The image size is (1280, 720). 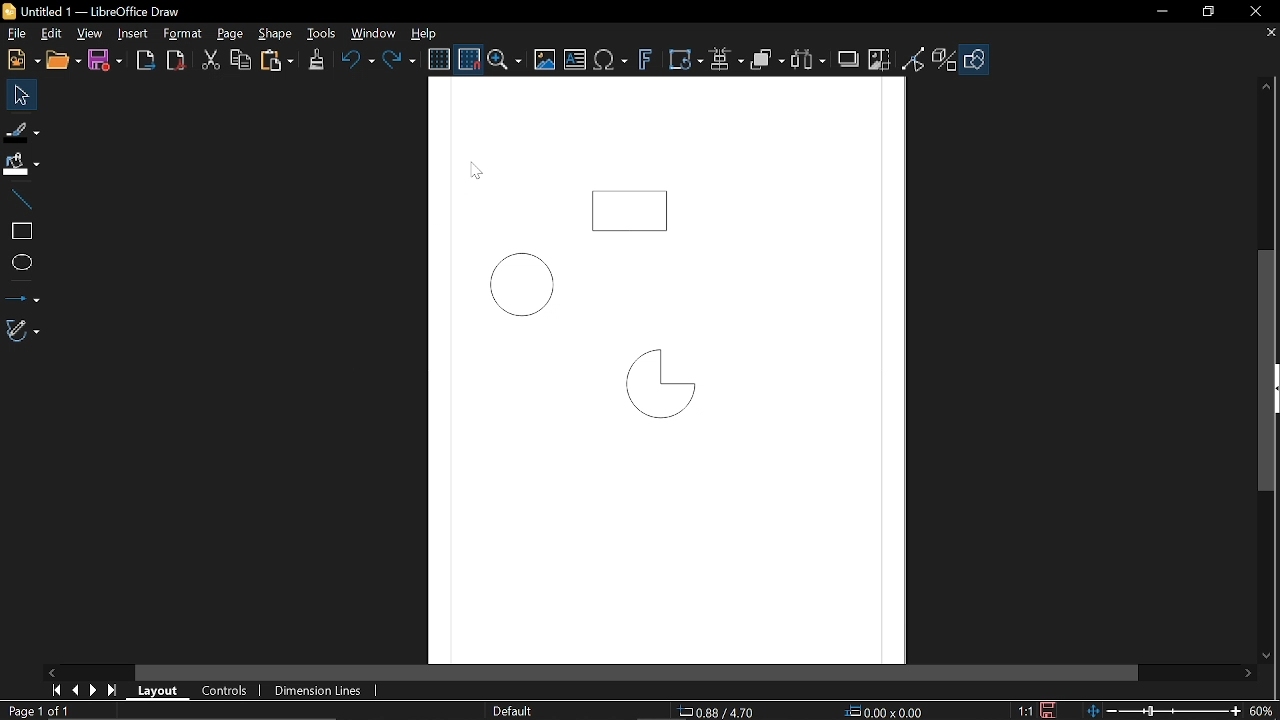 What do you see at coordinates (544, 60) in the screenshot?
I see `Insert image` at bounding box center [544, 60].